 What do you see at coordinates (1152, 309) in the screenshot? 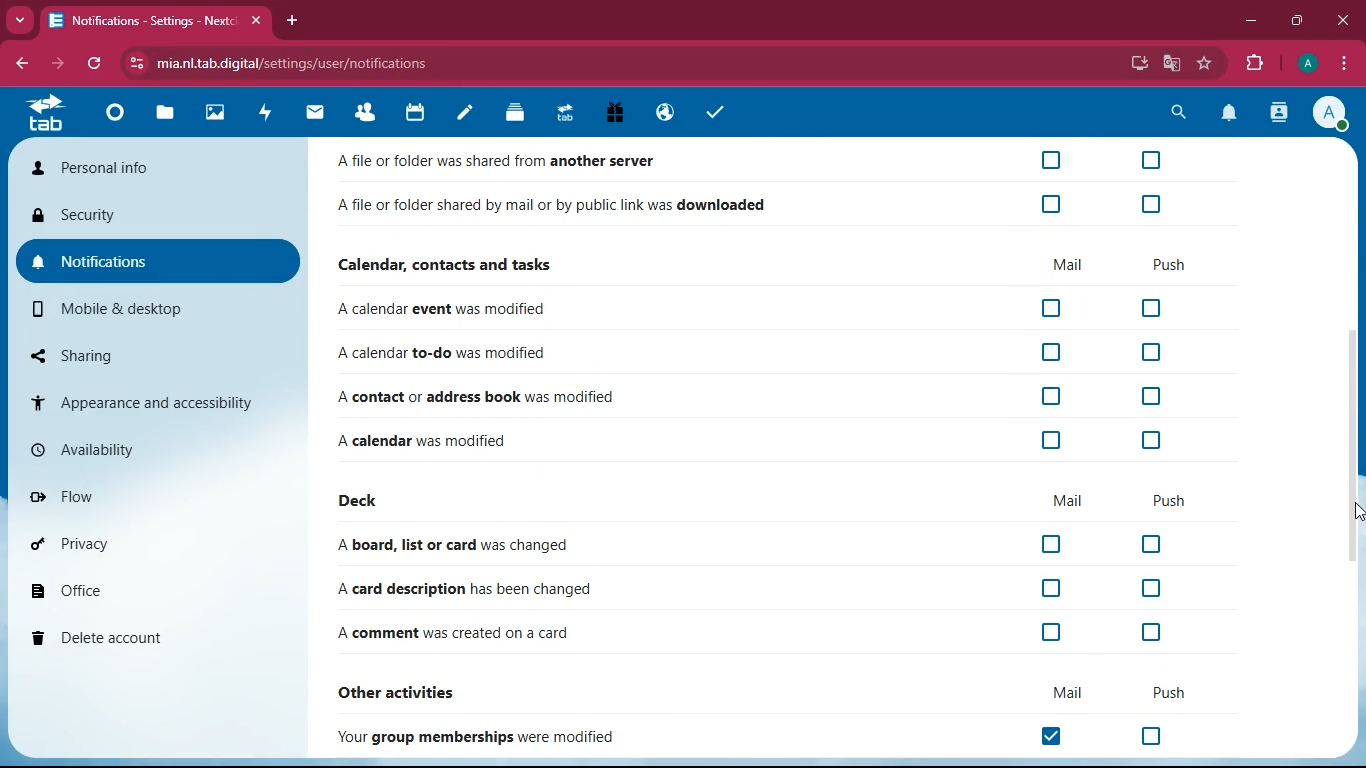
I see `off` at bounding box center [1152, 309].